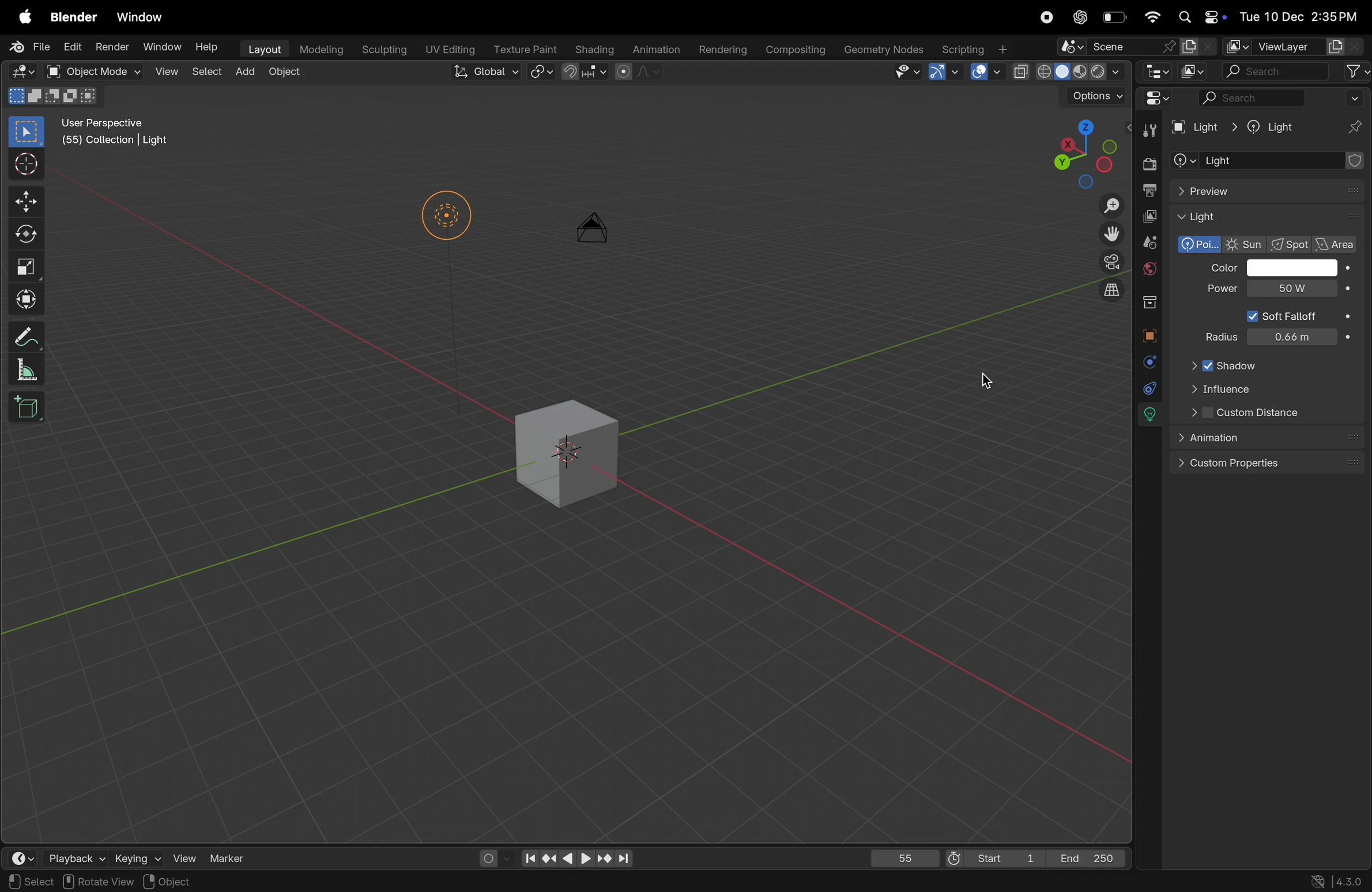  I want to click on versions, so click(1335, 880).